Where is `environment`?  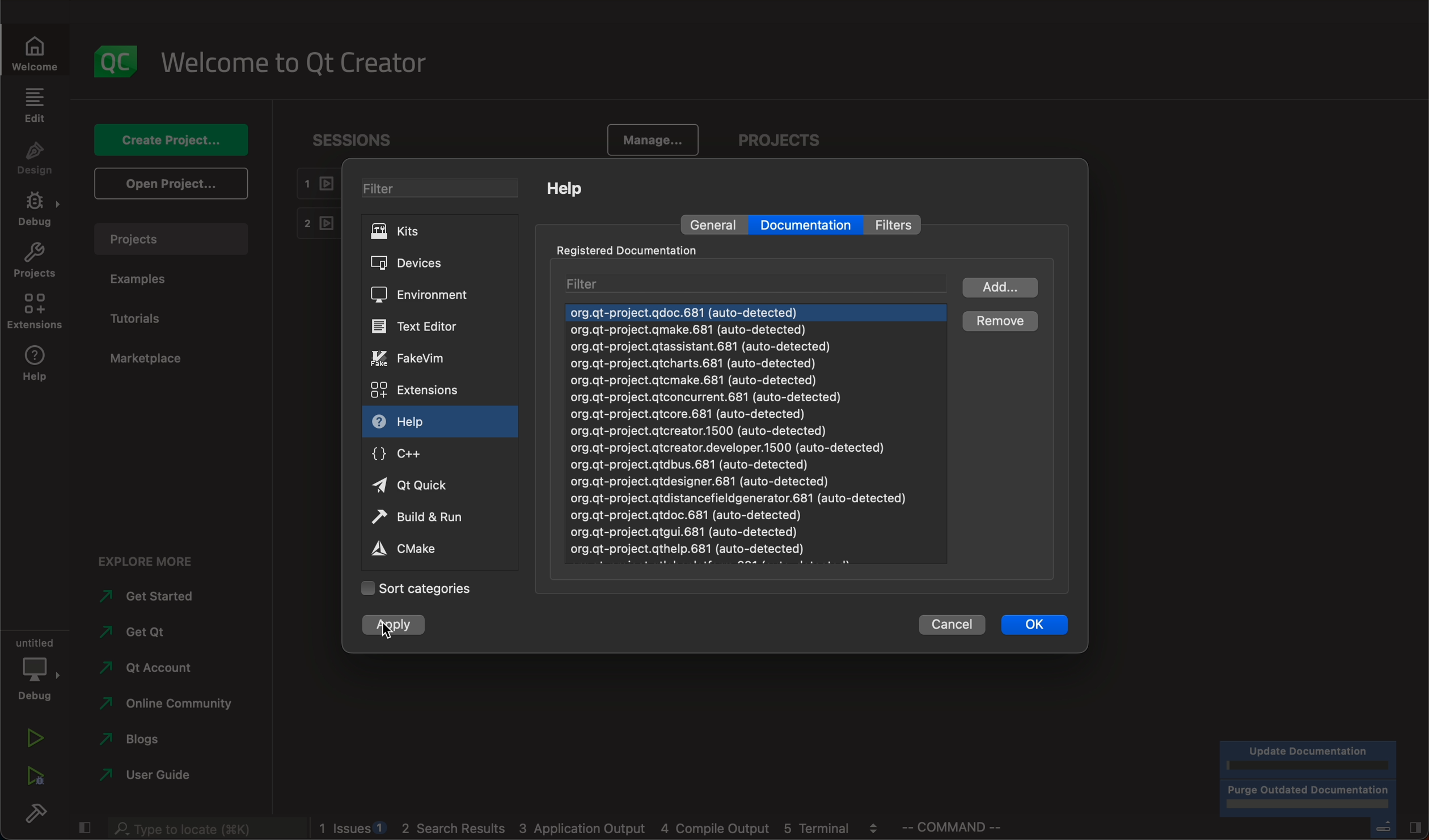 environment is located at coordinates (431, 294).